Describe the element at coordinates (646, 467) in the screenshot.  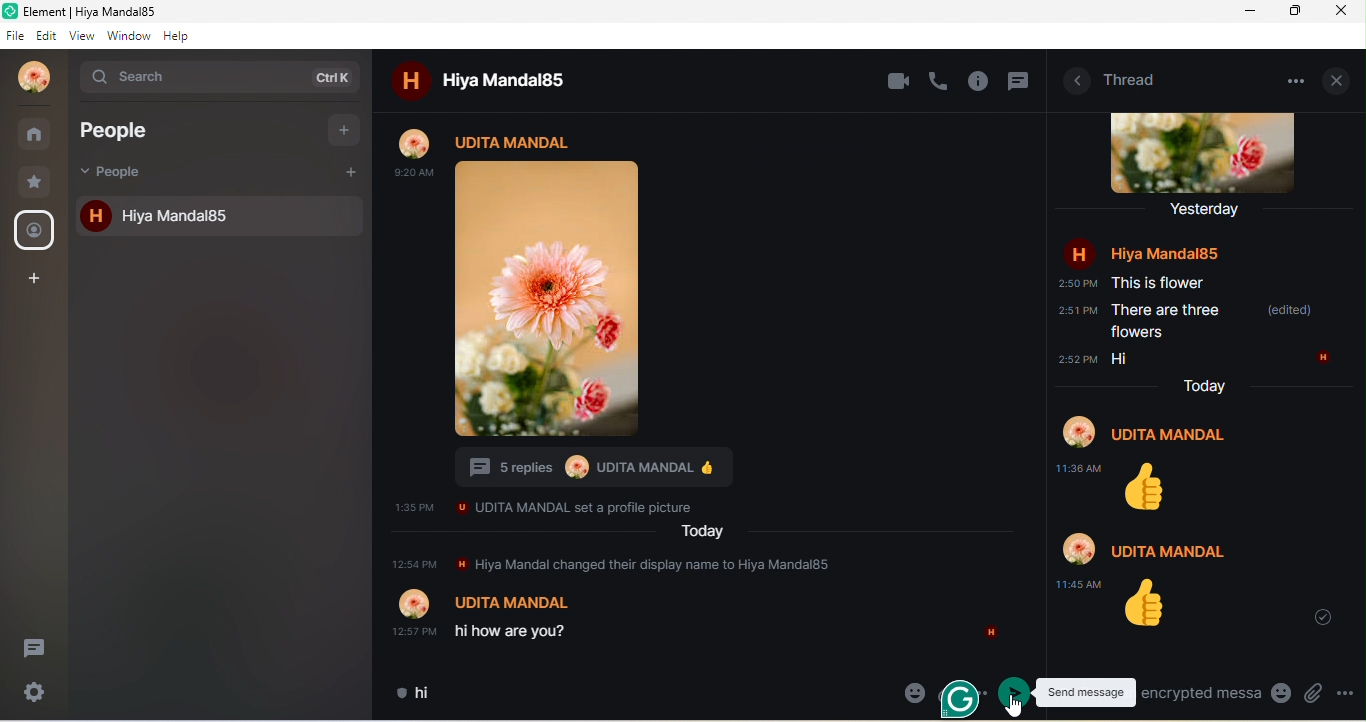
I see `Udita Mandal` at that location.